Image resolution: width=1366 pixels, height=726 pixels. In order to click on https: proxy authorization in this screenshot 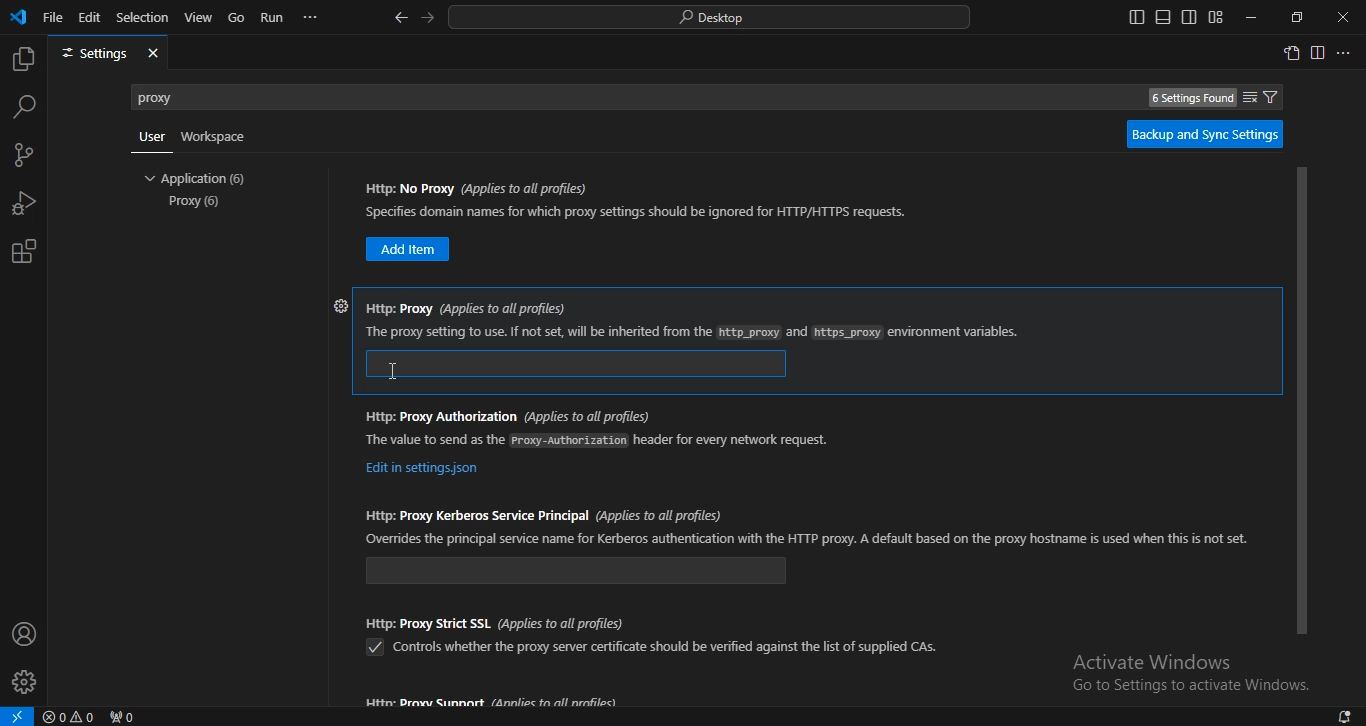, I will do `click(599, 439)`.